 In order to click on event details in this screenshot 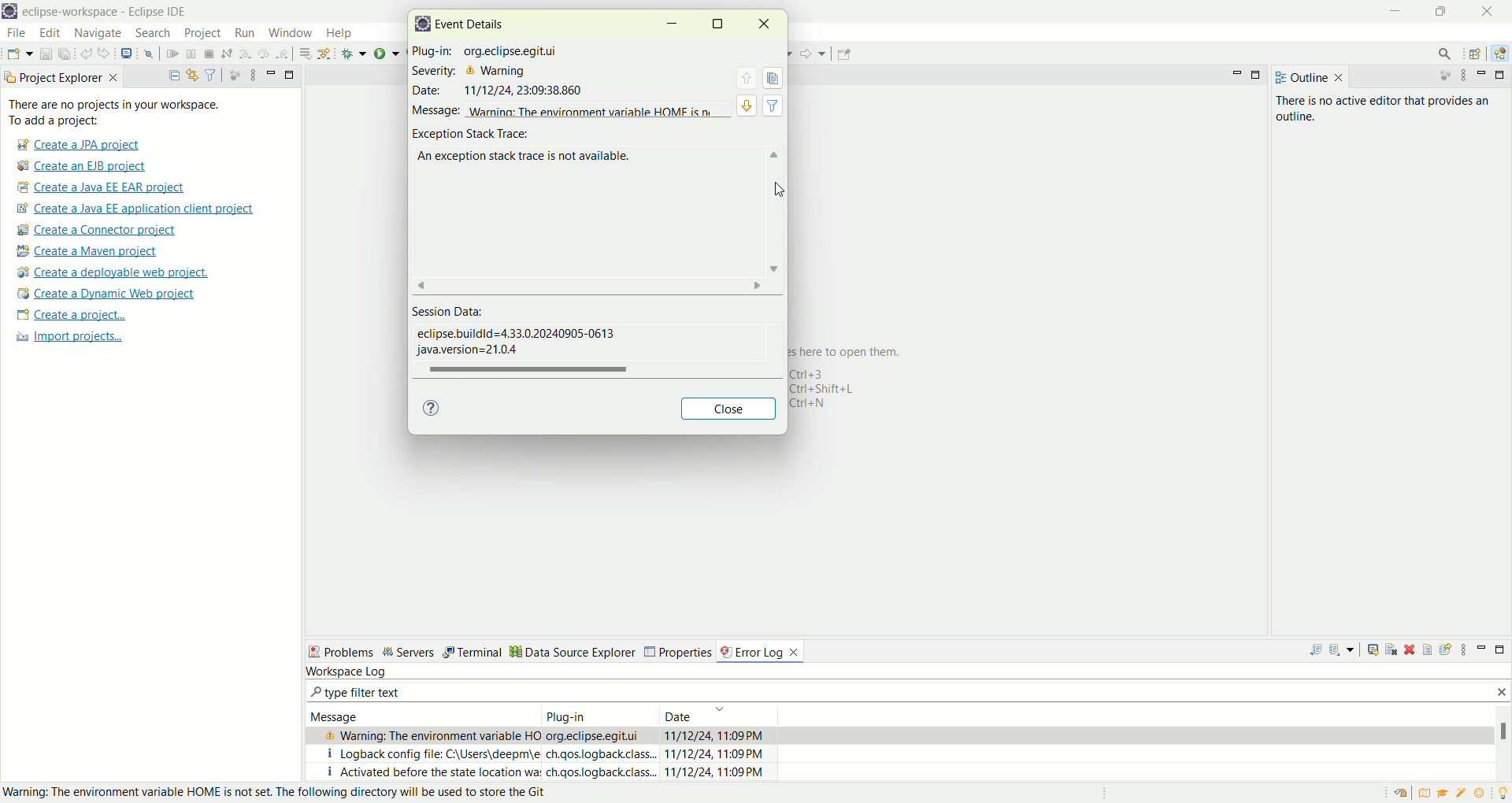, I will do `click(474, 26)`.